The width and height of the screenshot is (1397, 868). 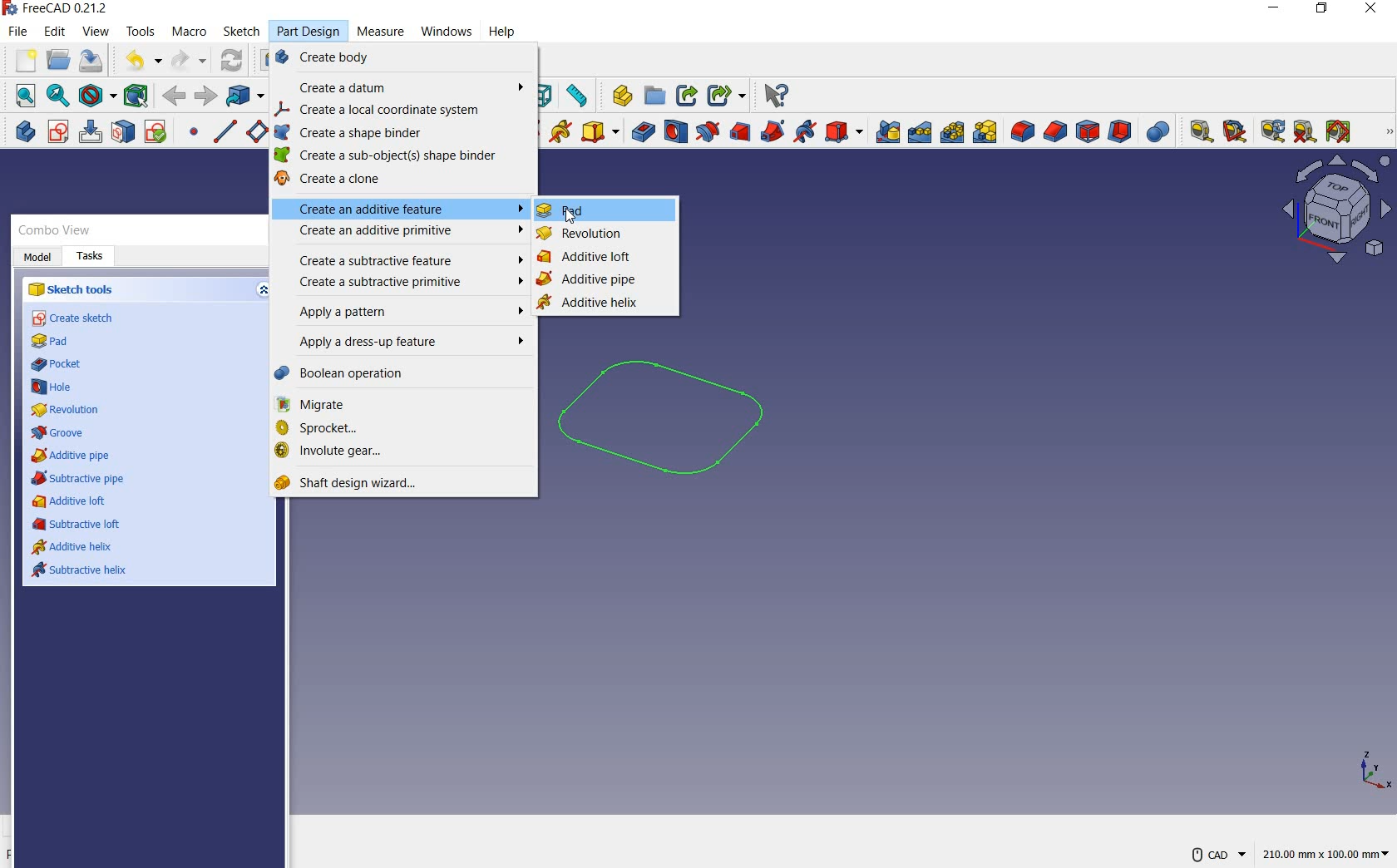 I want to click on additive helix, so click(x=73, y=548).